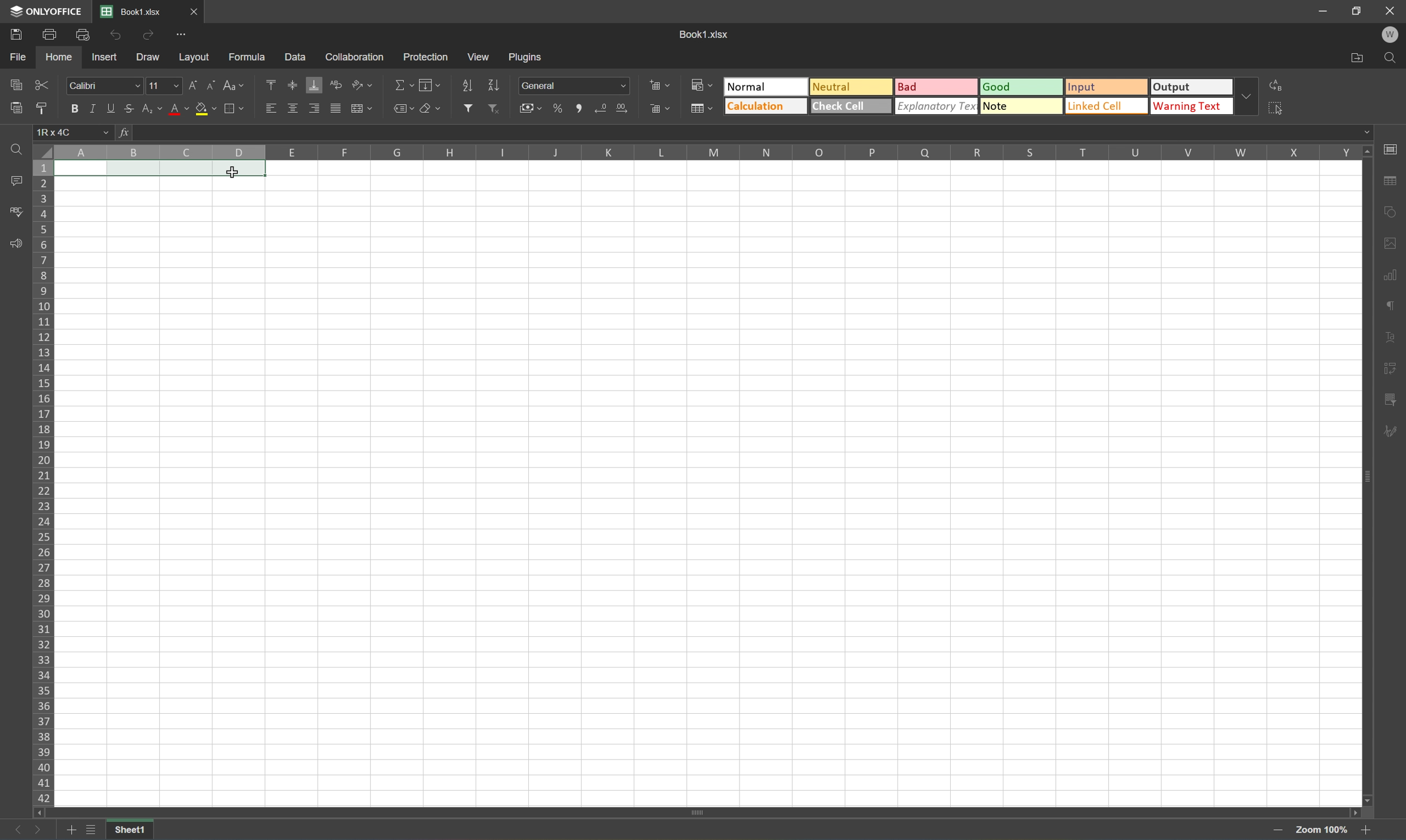 The image size is (1406, 840). What do you see at coordinates (1388, 242) in the screenshot?
I see `Shape settings` at bounding box center [1388, 242].